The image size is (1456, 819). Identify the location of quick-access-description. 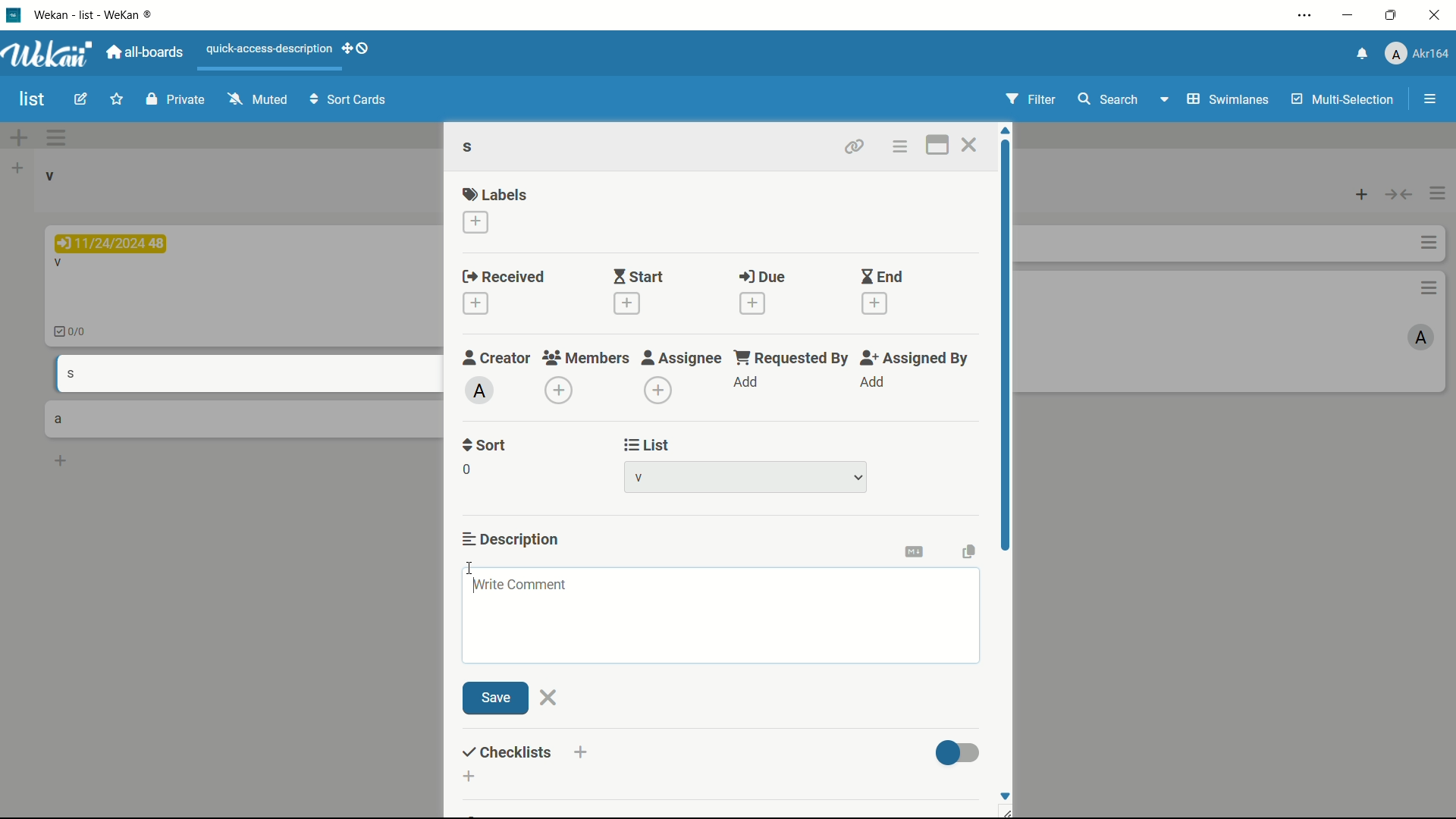
(269, 49).